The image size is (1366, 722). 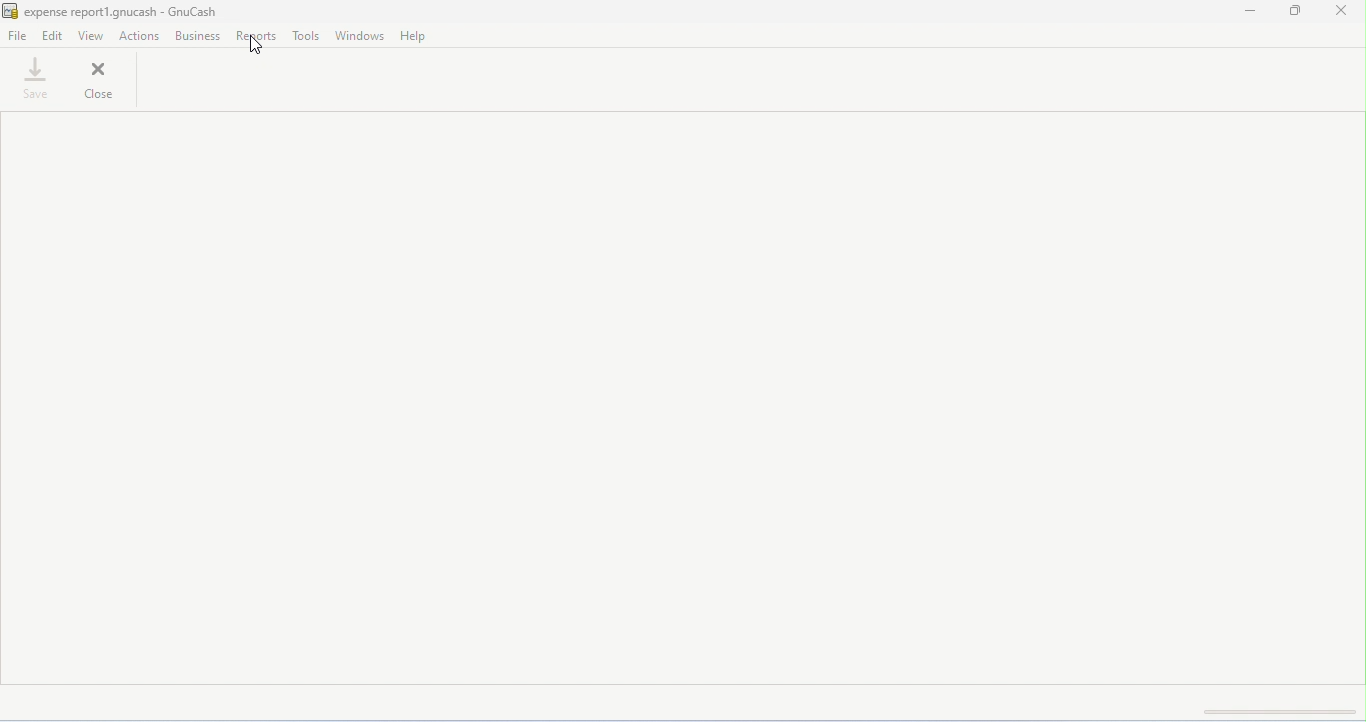 What do you see at coordinates (416, 38) in the screenshot?
I see `help` at bounding box center [416, 38].